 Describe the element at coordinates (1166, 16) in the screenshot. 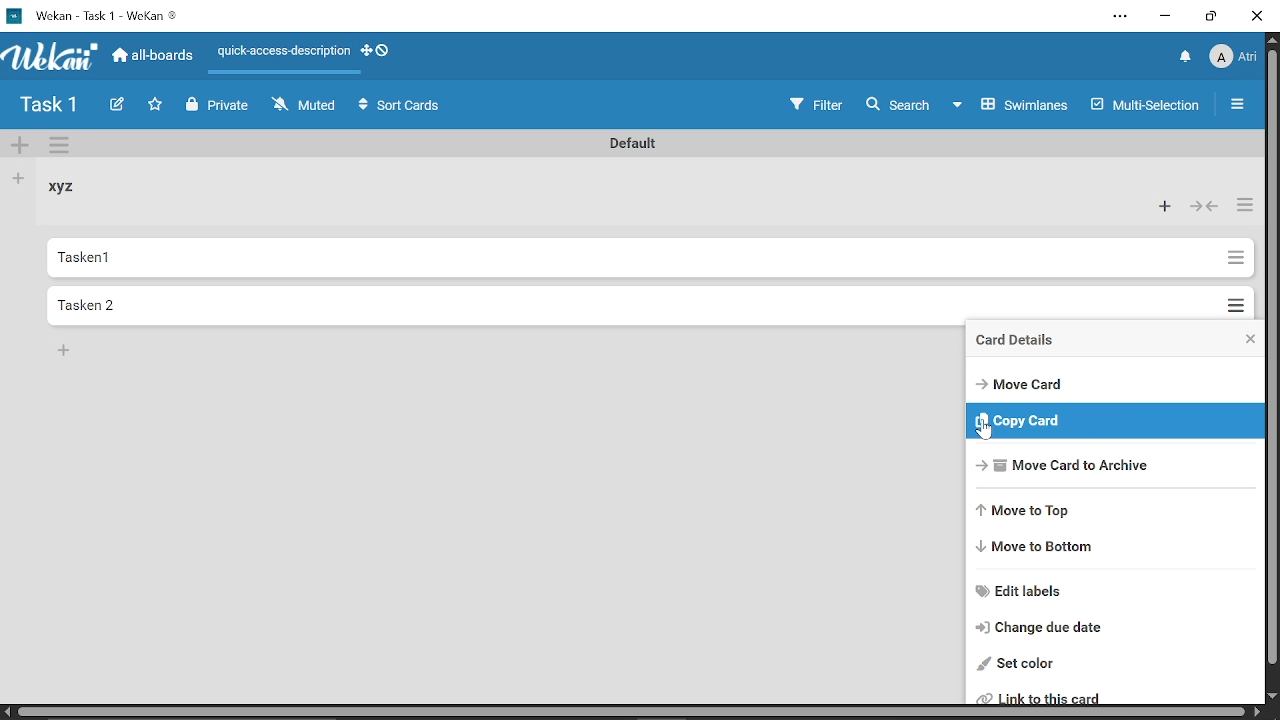

I see `Minimize` at that location.